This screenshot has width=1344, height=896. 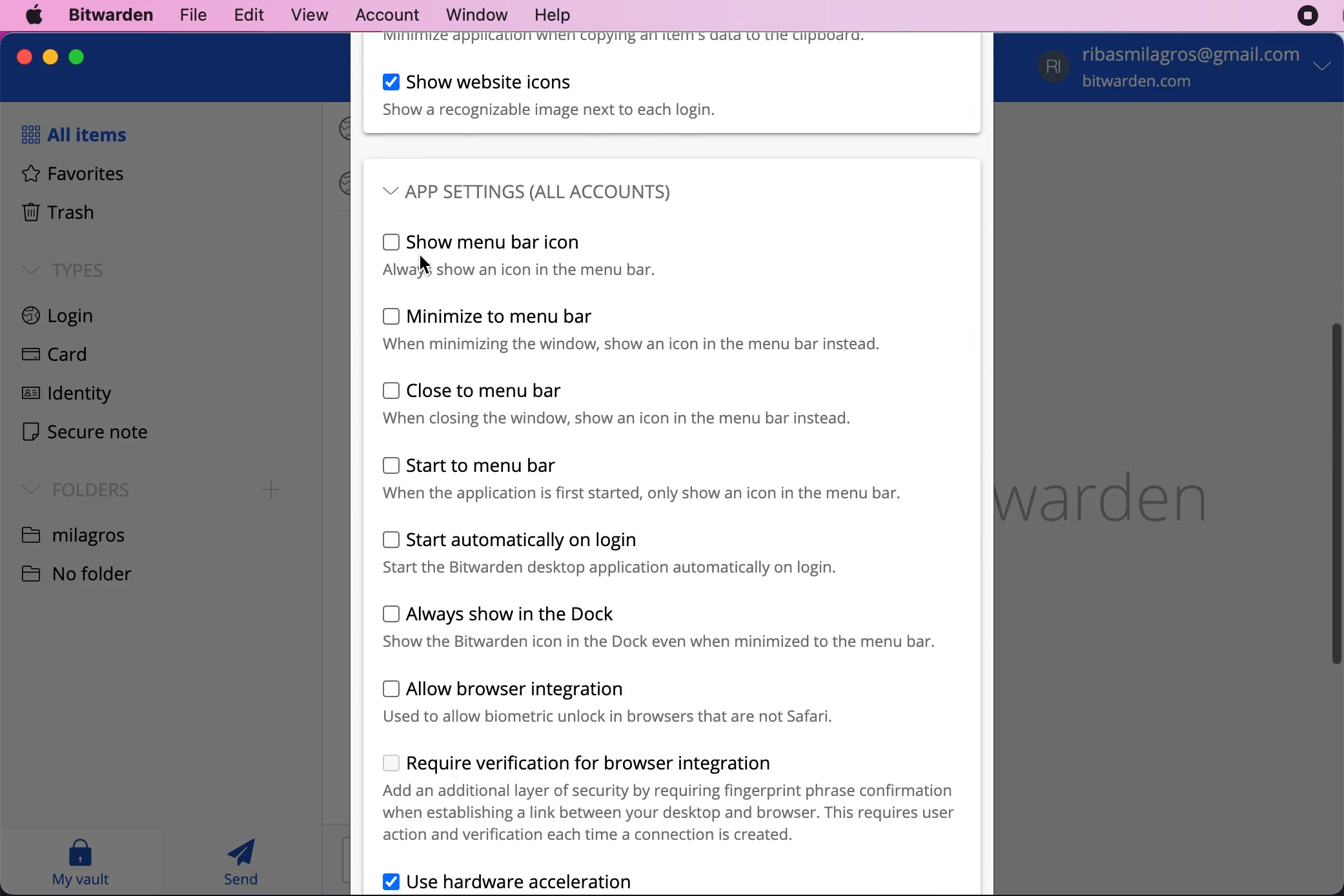 I want to click on folder name, so click(x=76, y=534).